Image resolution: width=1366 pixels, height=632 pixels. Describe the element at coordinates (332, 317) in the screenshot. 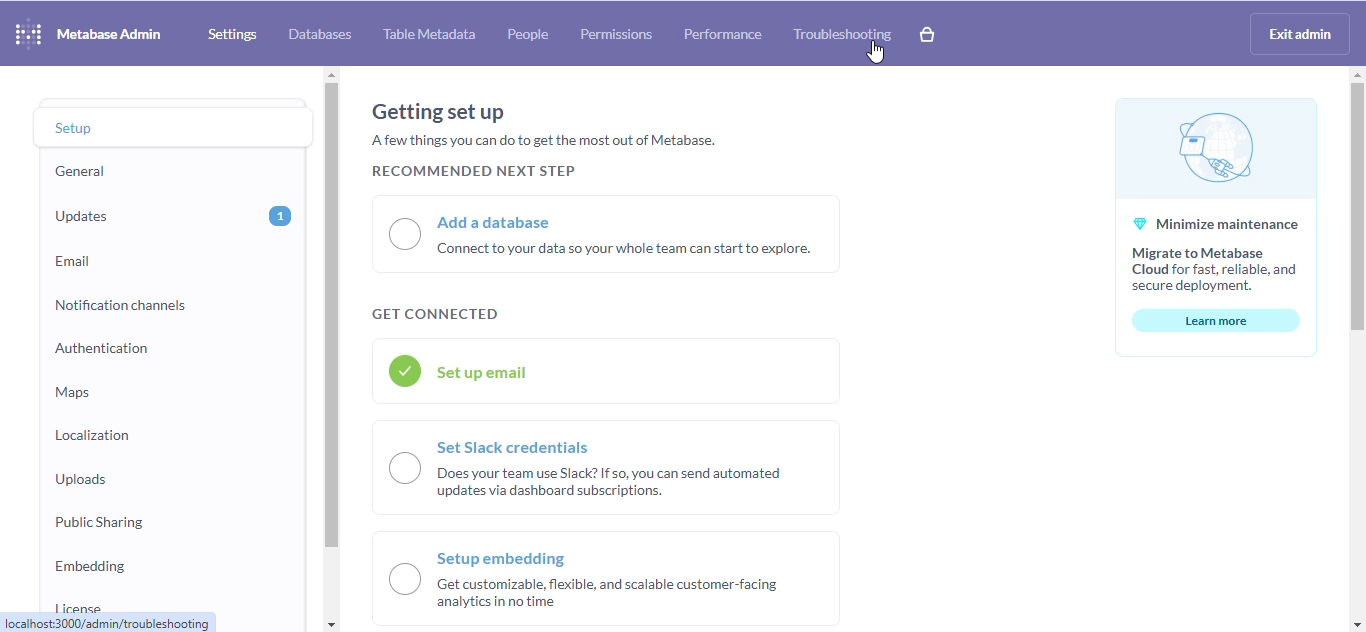

I see `vertical scroll bar` at that location.